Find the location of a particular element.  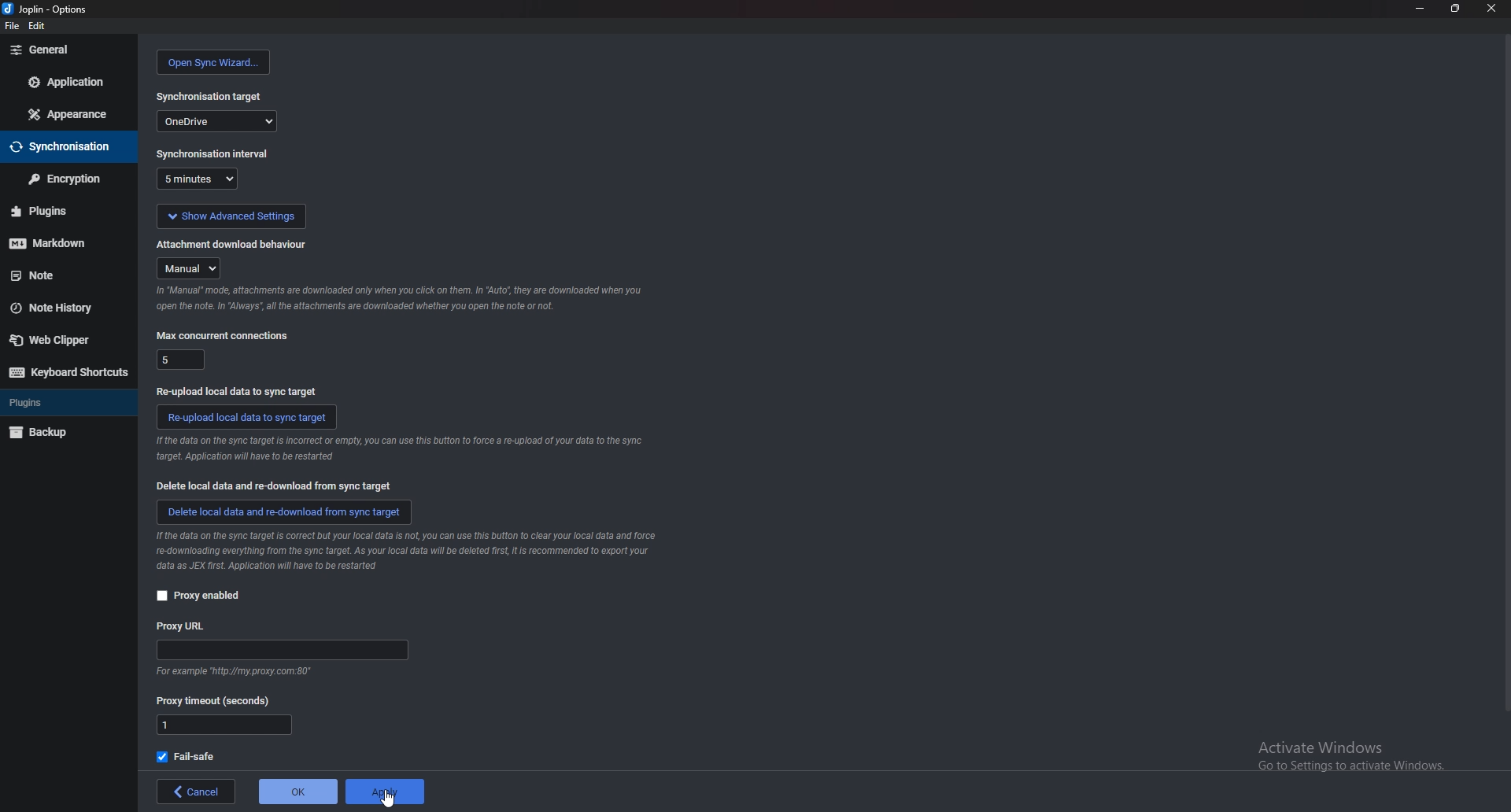

back is located at coordinates (195, 792).